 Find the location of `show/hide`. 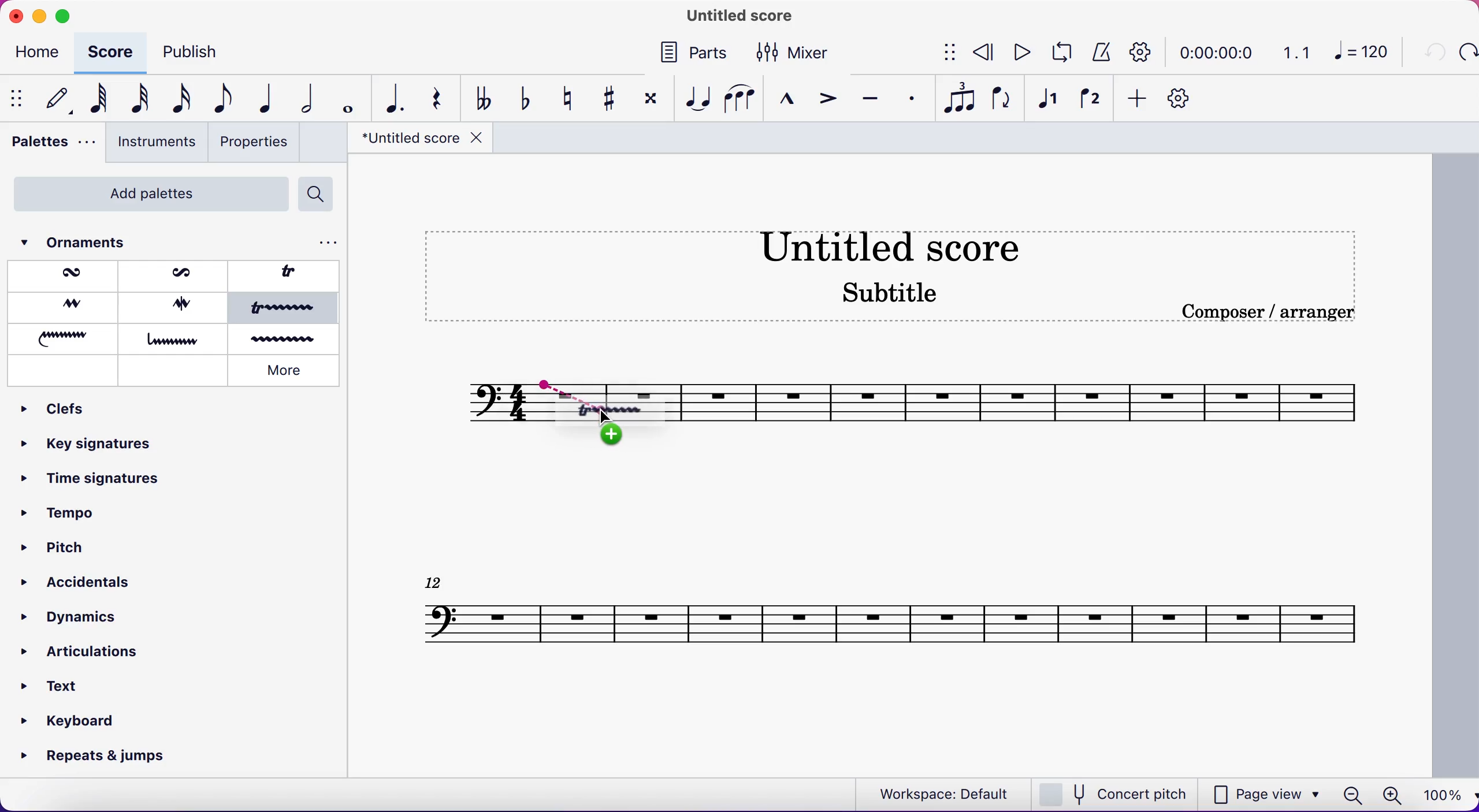

show/hide is located at coordinates (943, 54).